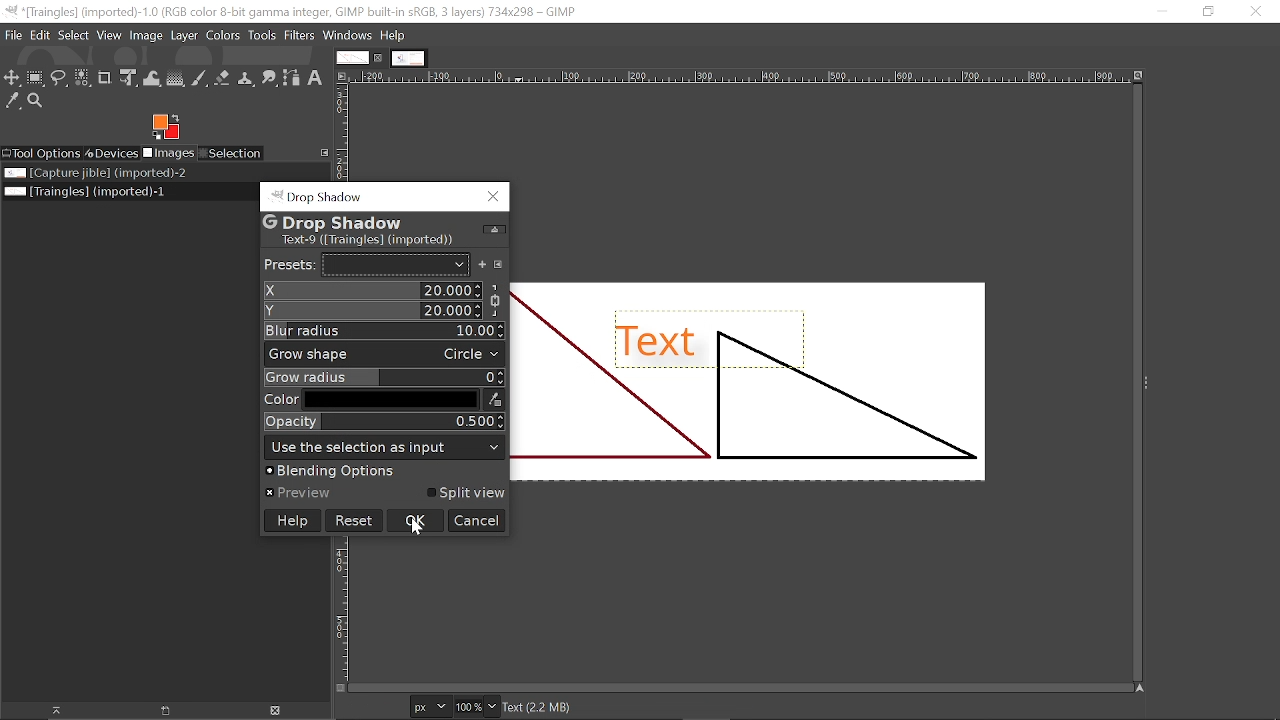 The width and height of the screenshot is (1280, 720). I want to click on Zoom options, so click(494, 707).